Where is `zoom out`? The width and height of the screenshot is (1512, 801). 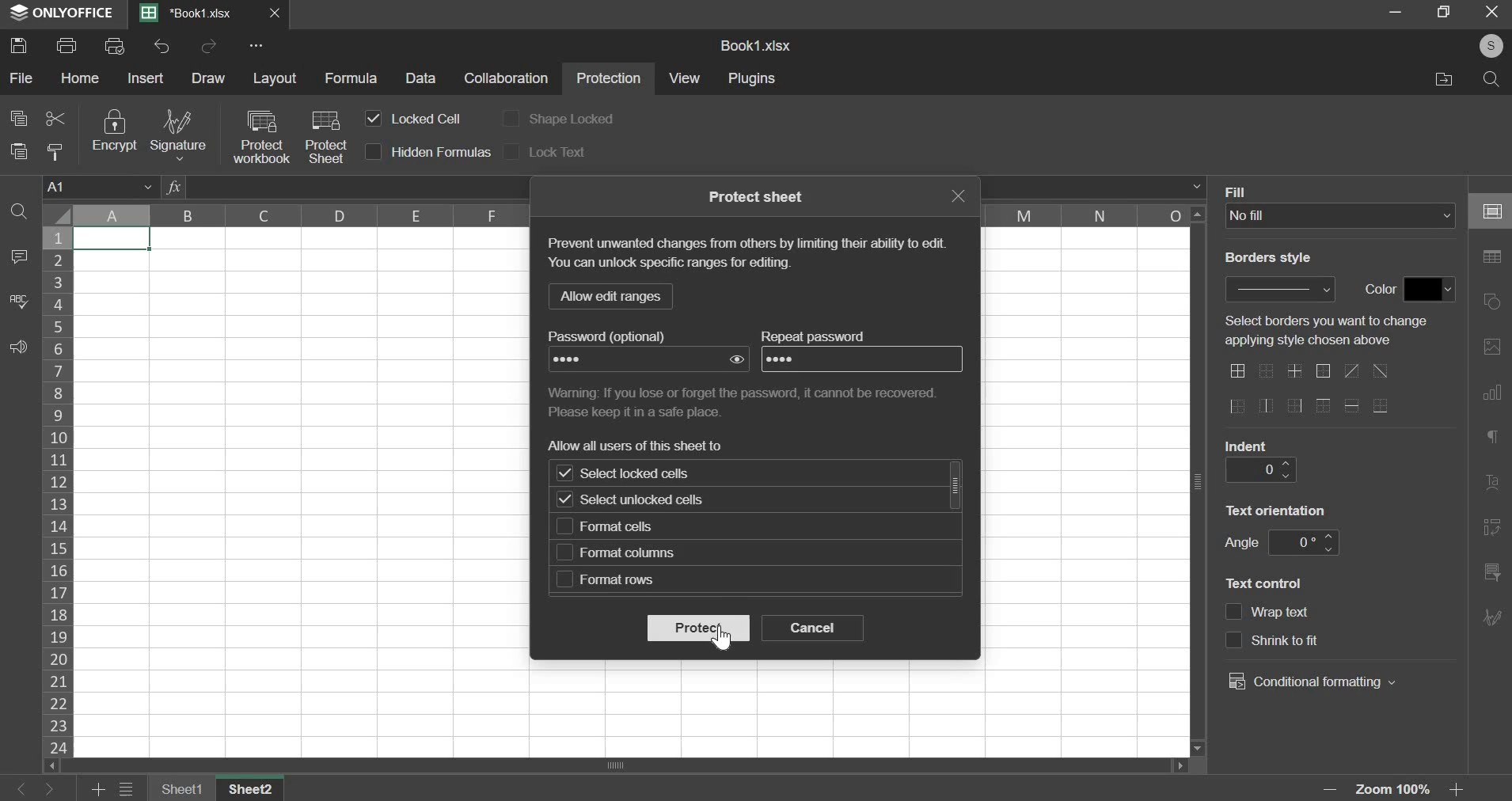
zoom out is located at coordinates (1333, 789).